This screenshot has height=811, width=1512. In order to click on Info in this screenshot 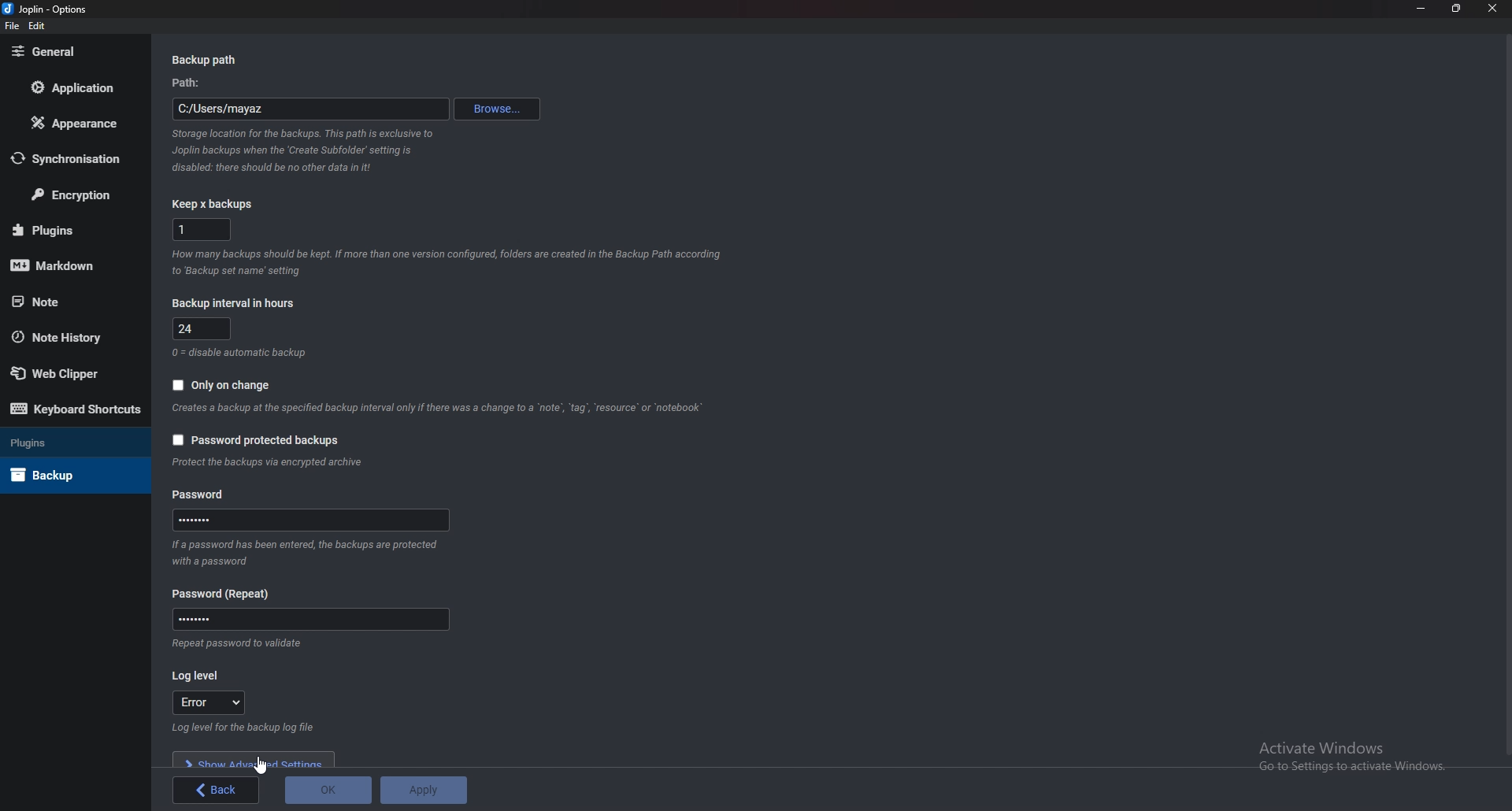, I will do `click(447, 265)`.